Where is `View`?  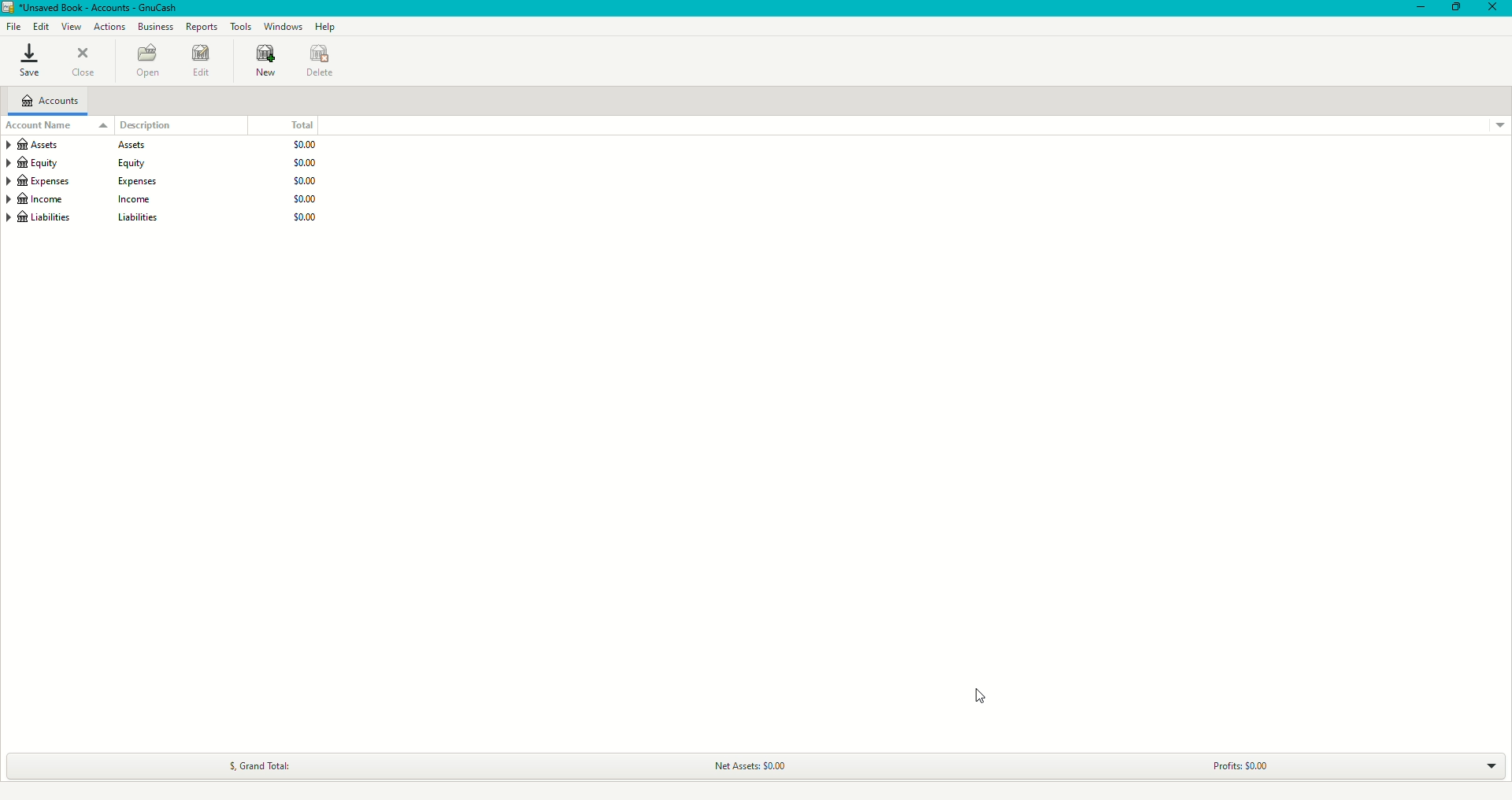 View is located at coordinates (70, 27).